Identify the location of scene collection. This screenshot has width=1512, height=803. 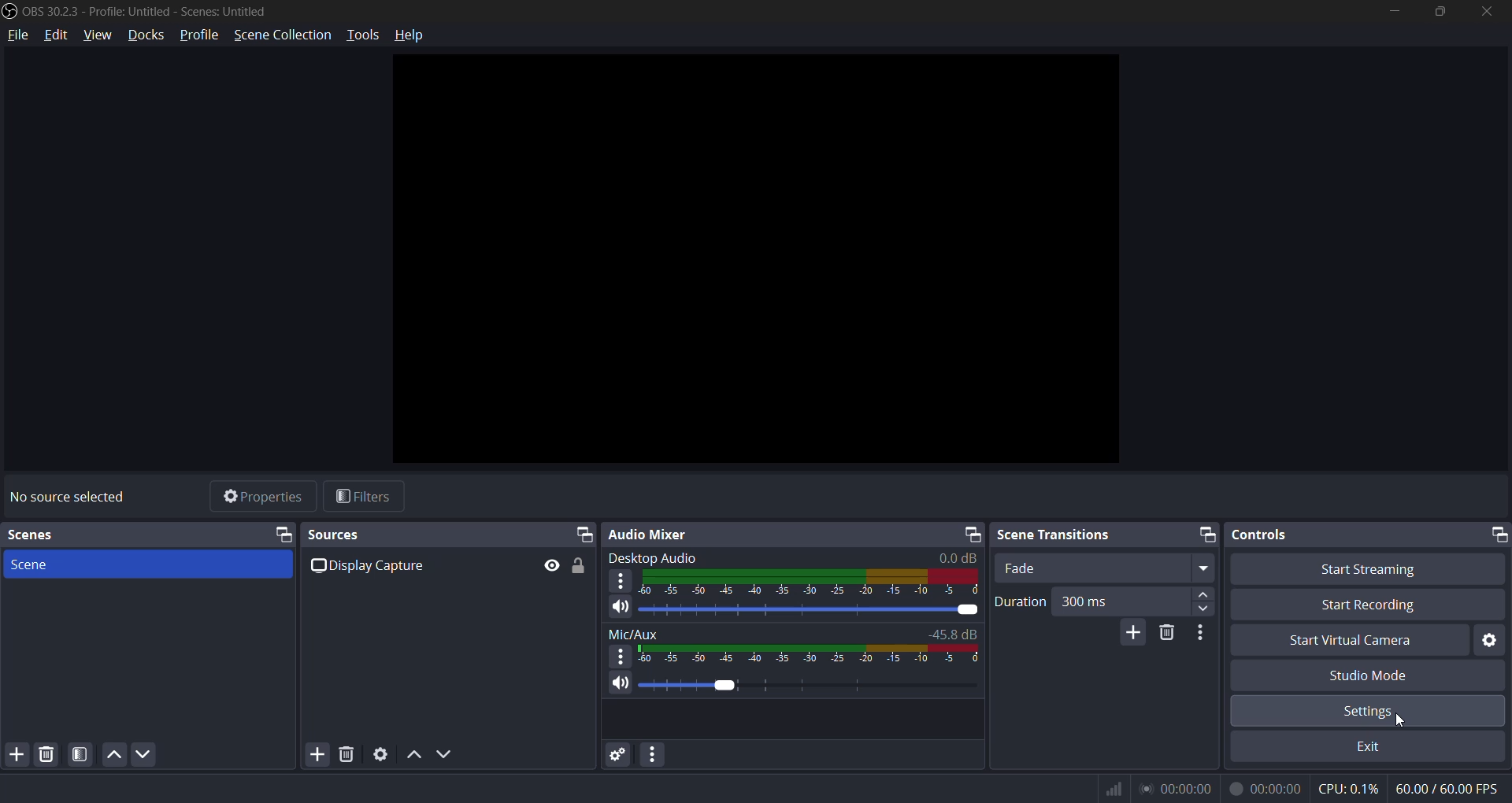
(283, 34).